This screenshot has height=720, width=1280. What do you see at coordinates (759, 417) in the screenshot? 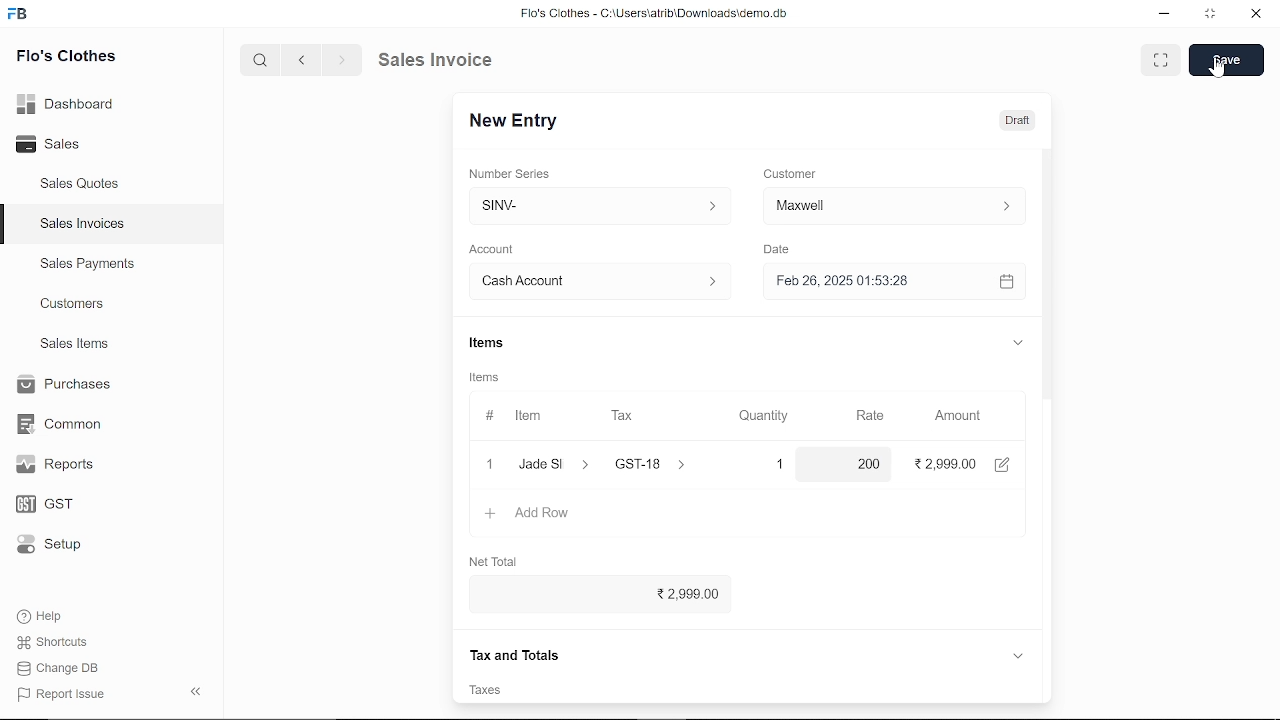
I see `Quantity` at bounding box center [759, 417].